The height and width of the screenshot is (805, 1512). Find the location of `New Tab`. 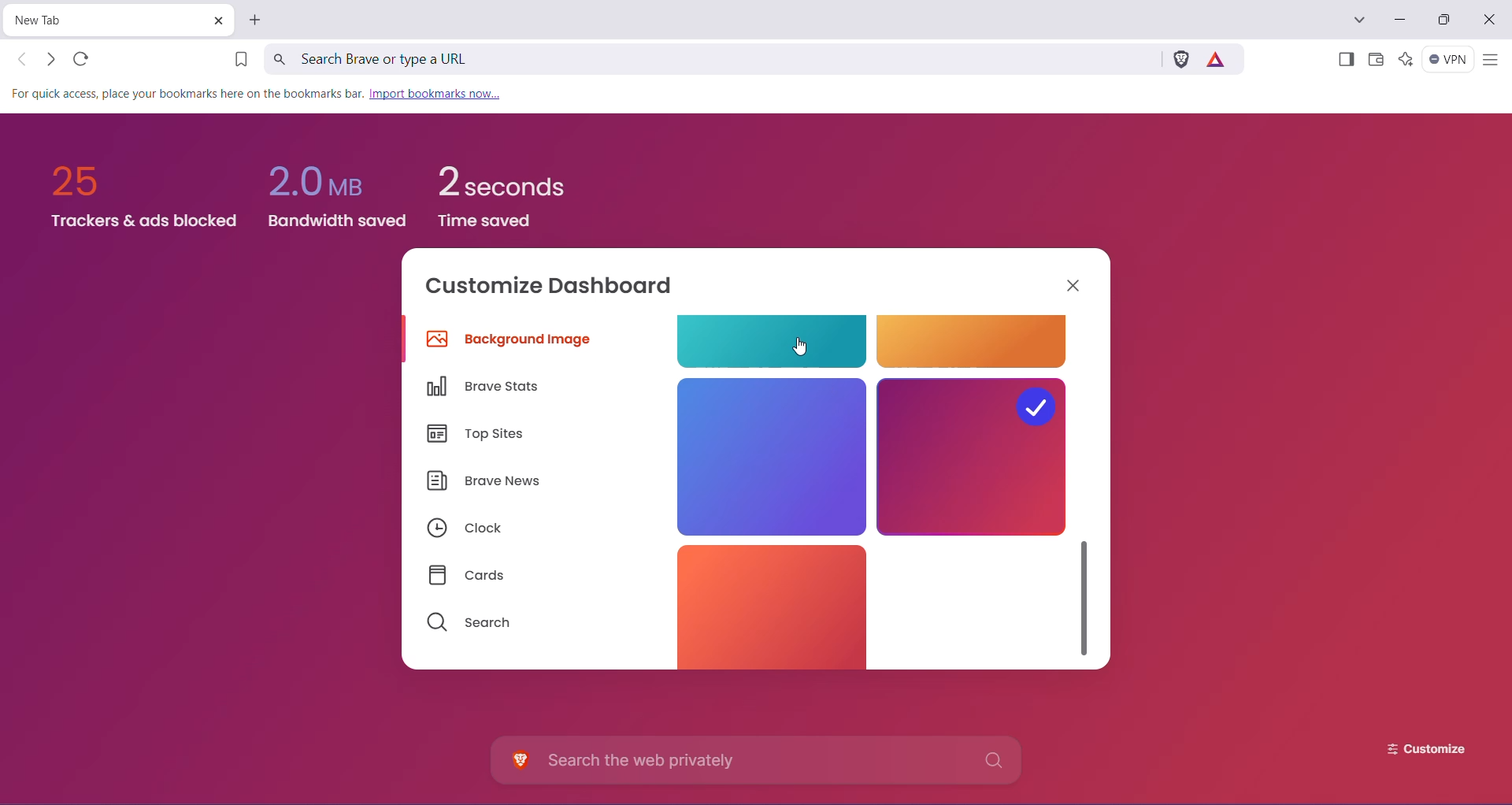

New Tab is located at coordinates (257, 20).